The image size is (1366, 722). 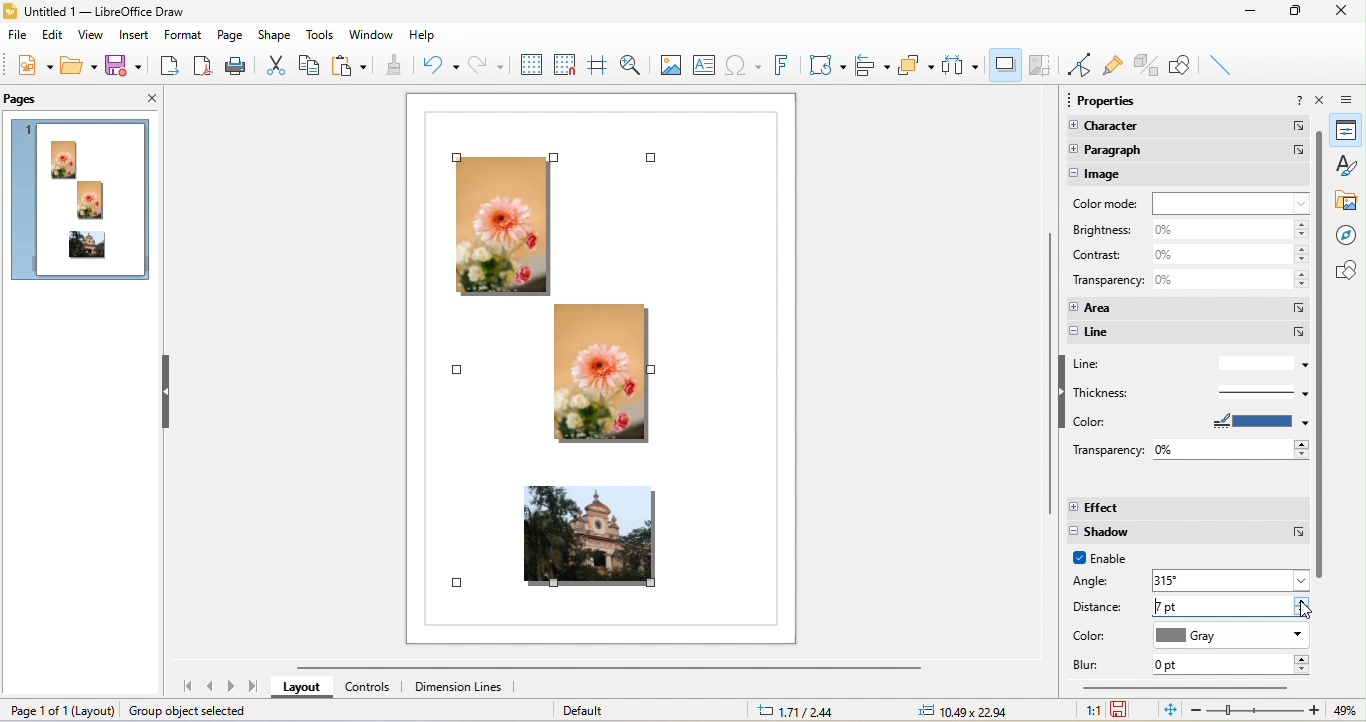 I want to click on 49%, so click(x=1342, y=711).